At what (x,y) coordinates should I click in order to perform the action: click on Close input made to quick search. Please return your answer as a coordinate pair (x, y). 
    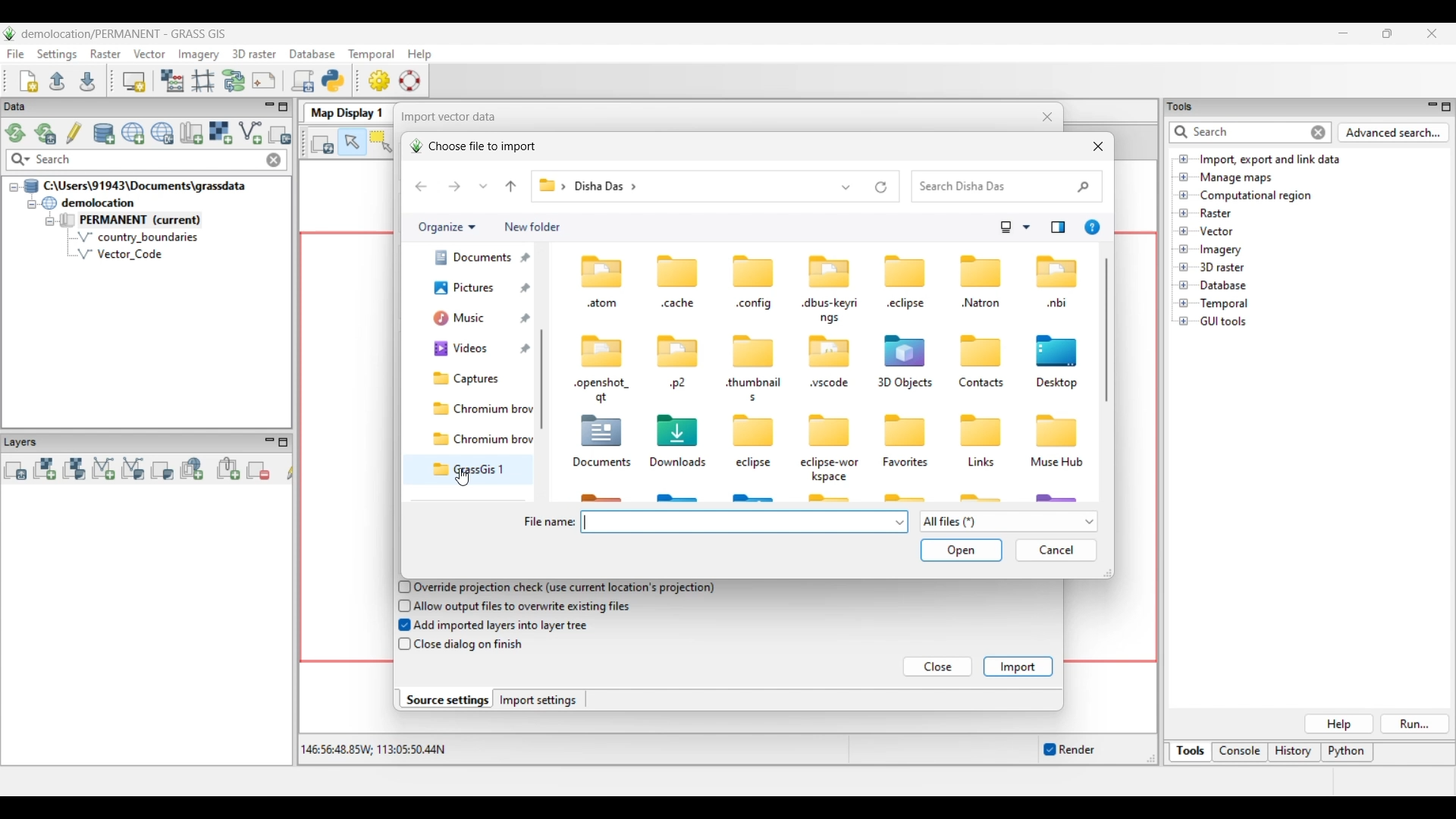
    Looking at the image, I should click on (274, 160).